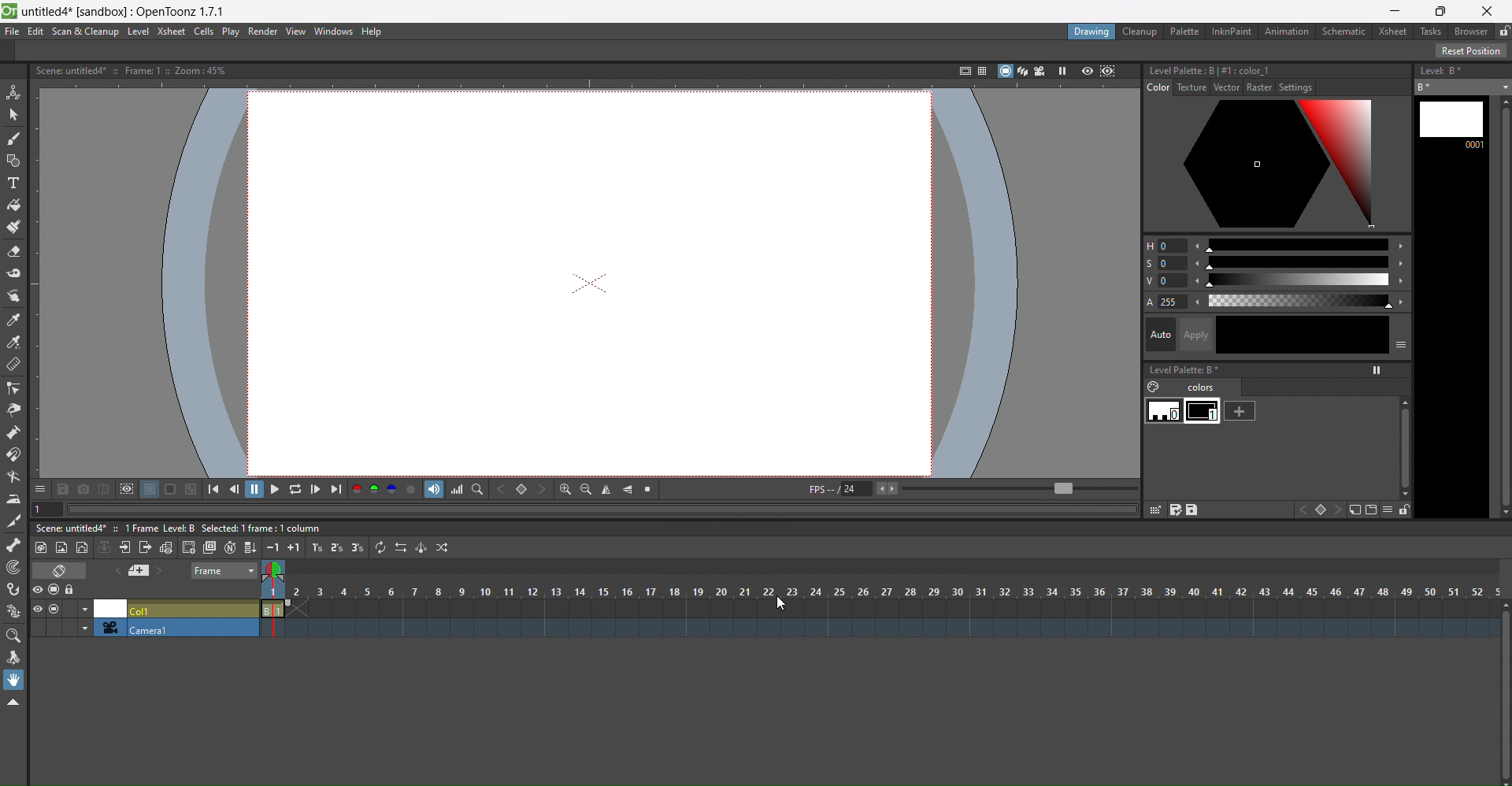 The image size is (1512, 786). What do you see at coordinates (1395, 11) in the screenshot?
I see `minimise` at bounding box center [1395, 11].